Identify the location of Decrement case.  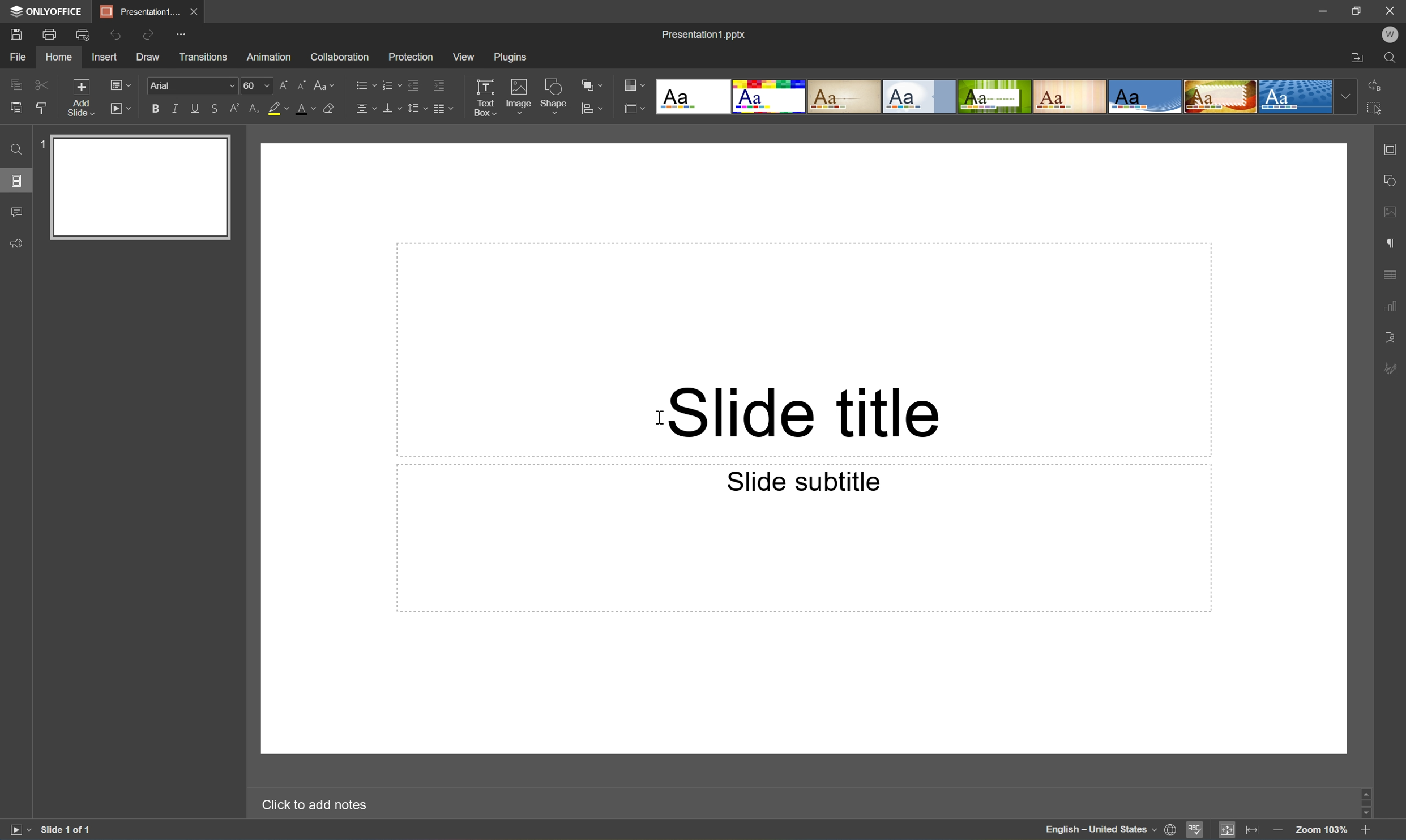
(300, 83).